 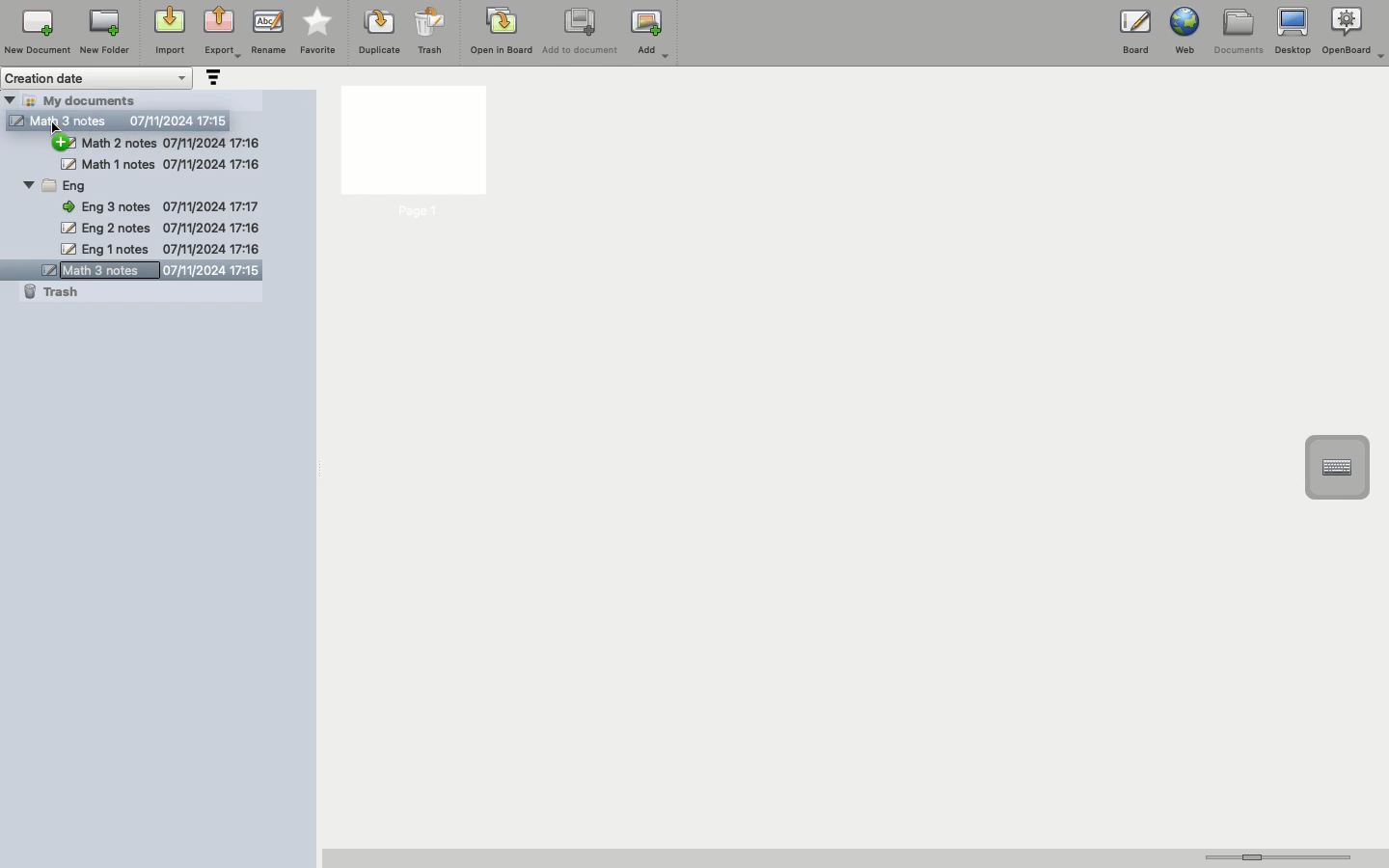 What do you see at coordinates (59, 131) in the screenshot?
I see `cursor` at bounding box center [59, 131].